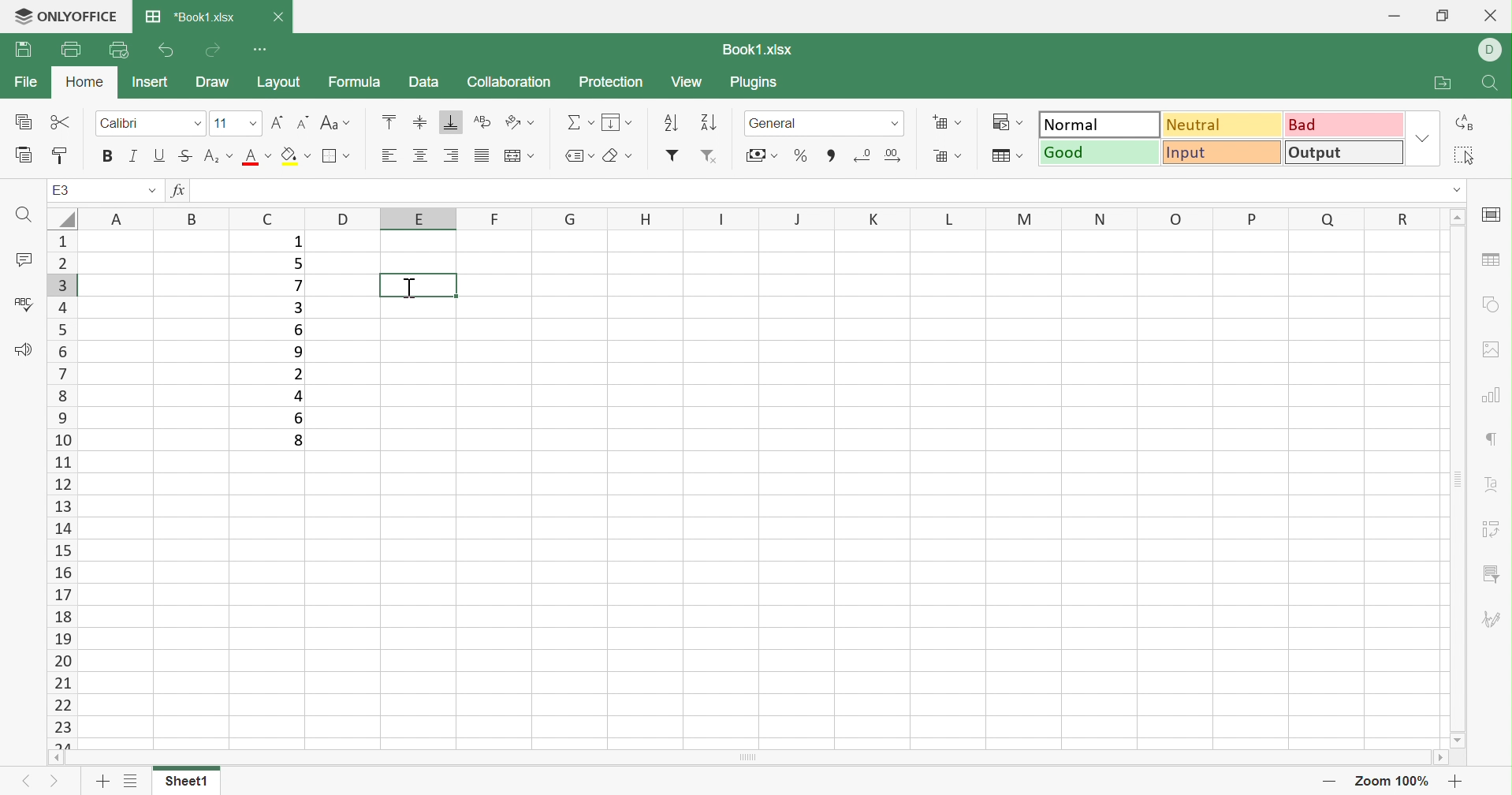 This screenshot has height=795, width=1512. I want to click on Draw, so click(214, 82).